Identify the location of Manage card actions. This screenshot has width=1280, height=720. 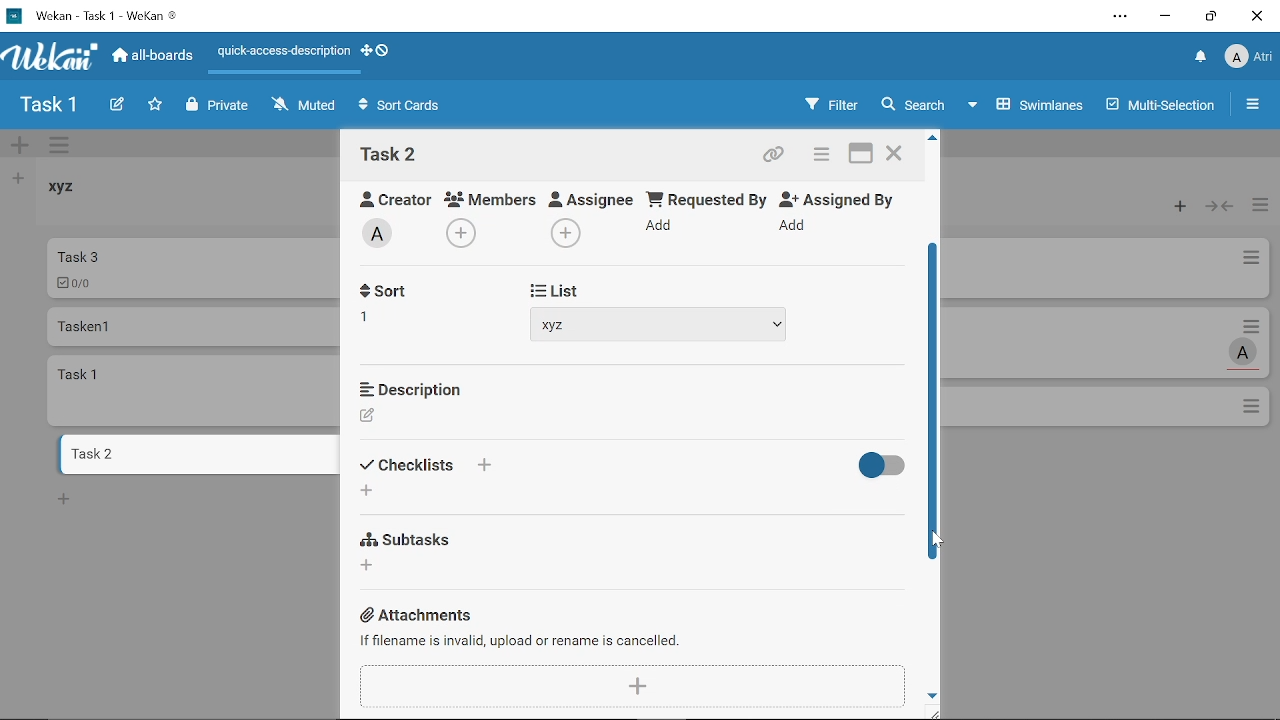
(1260, 207).